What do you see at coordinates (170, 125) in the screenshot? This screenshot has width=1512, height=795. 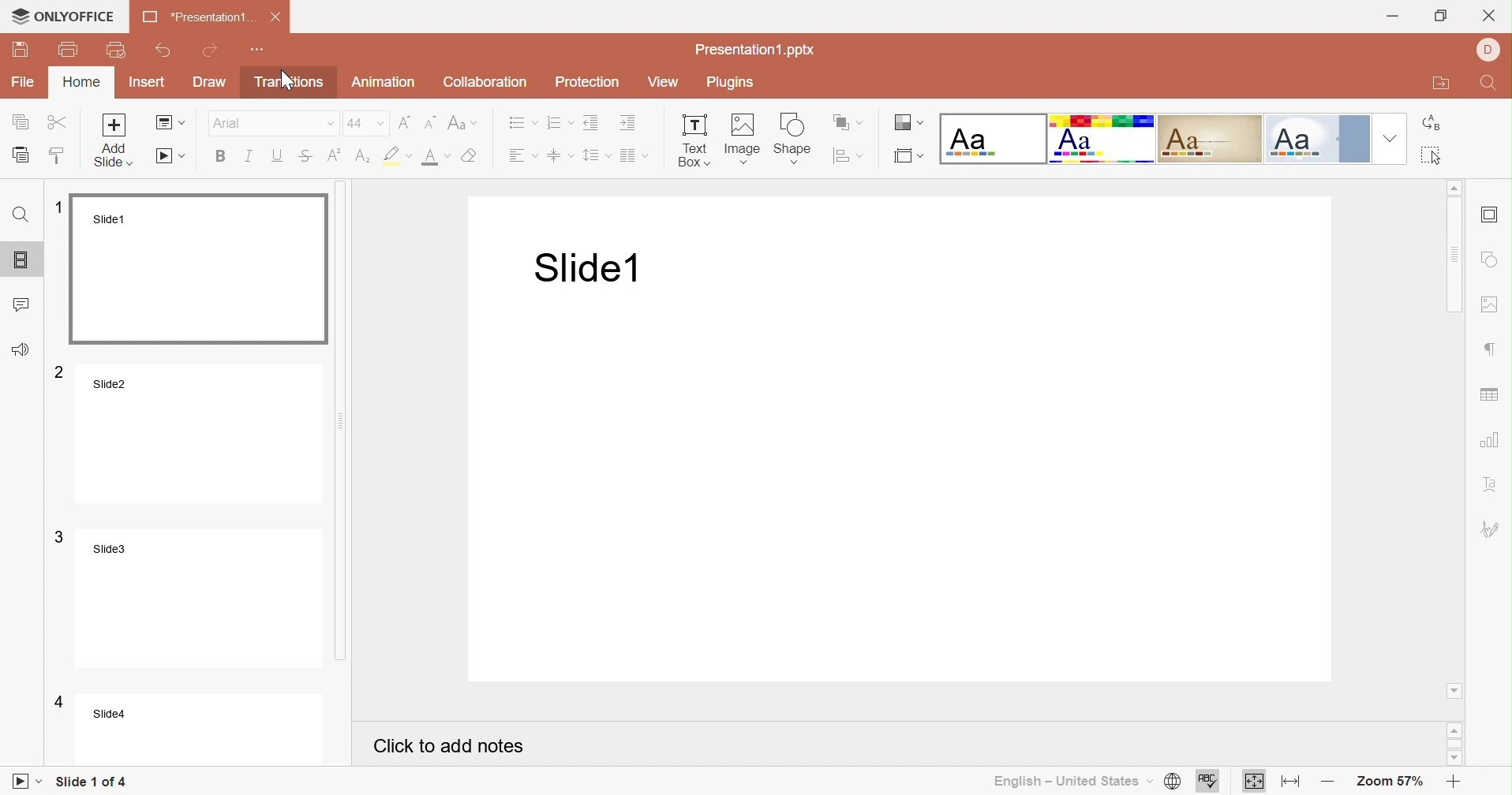 I see `Change slide layout` at bounding box center [170, 125].